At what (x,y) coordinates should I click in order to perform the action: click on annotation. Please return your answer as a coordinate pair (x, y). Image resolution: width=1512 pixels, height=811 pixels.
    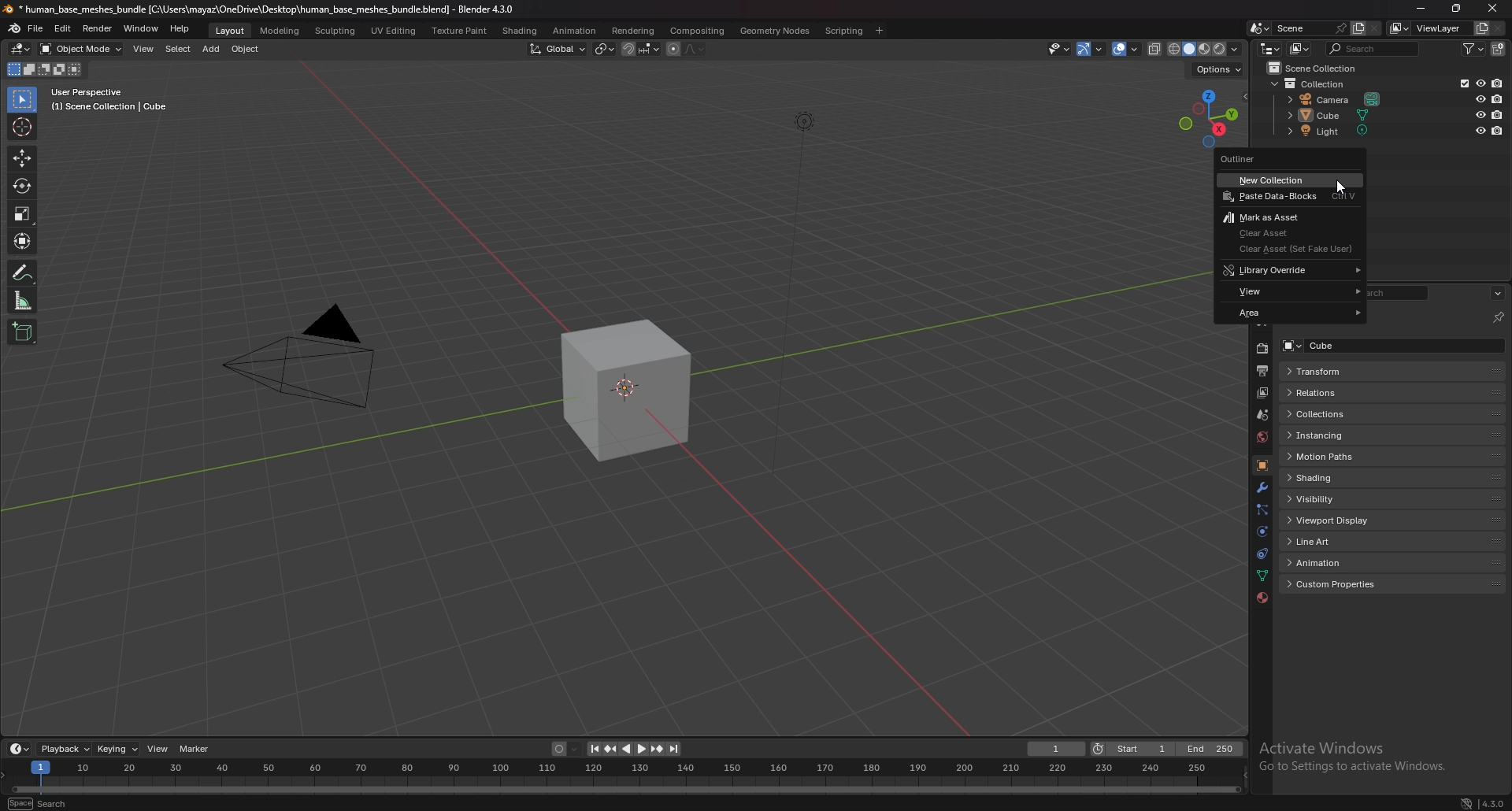
    Looking at the image, I should click on (24, 272).